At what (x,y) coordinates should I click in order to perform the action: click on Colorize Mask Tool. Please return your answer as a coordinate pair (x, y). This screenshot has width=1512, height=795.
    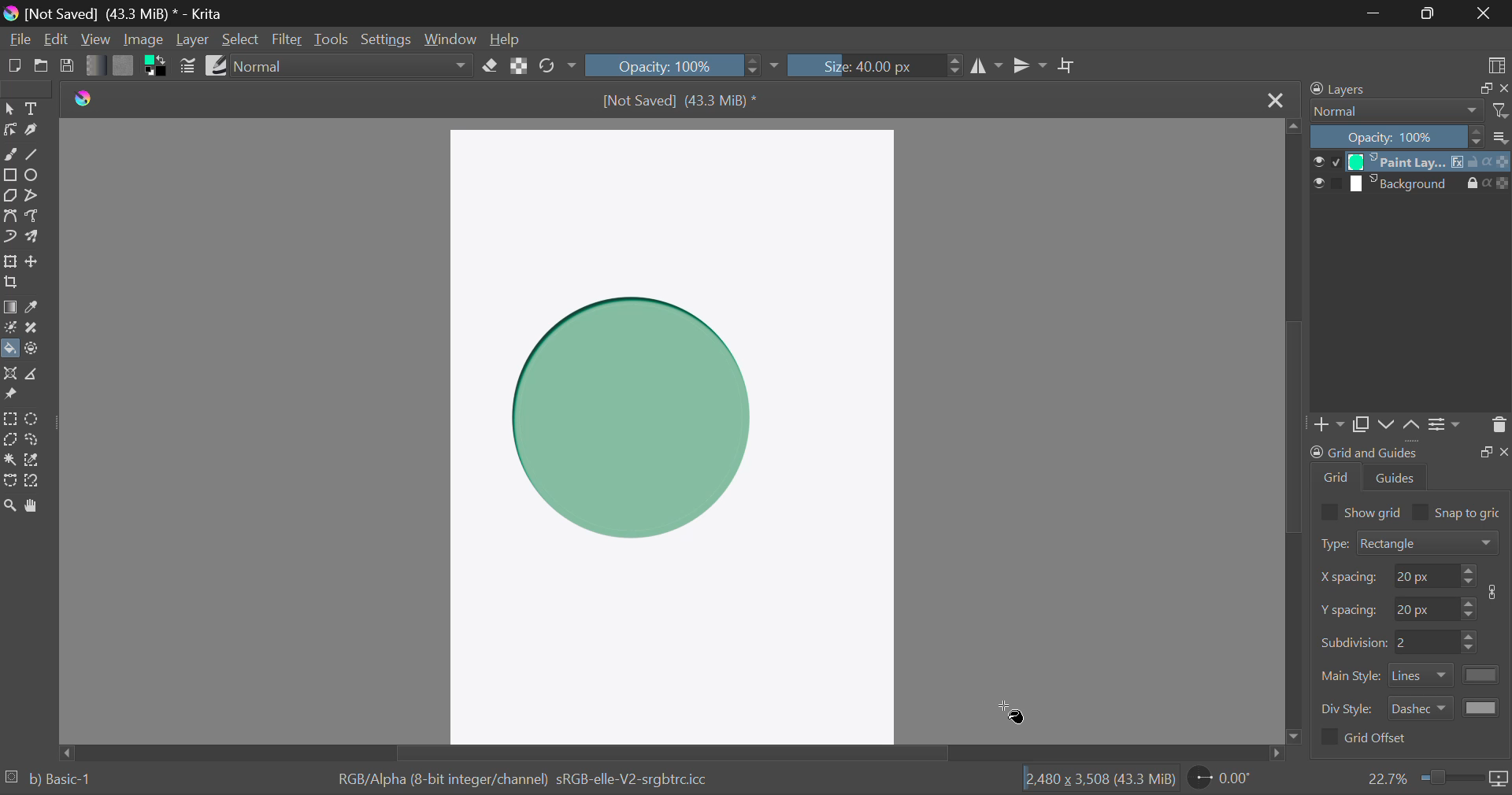
    Looking at the image, I should click on (10, 328).